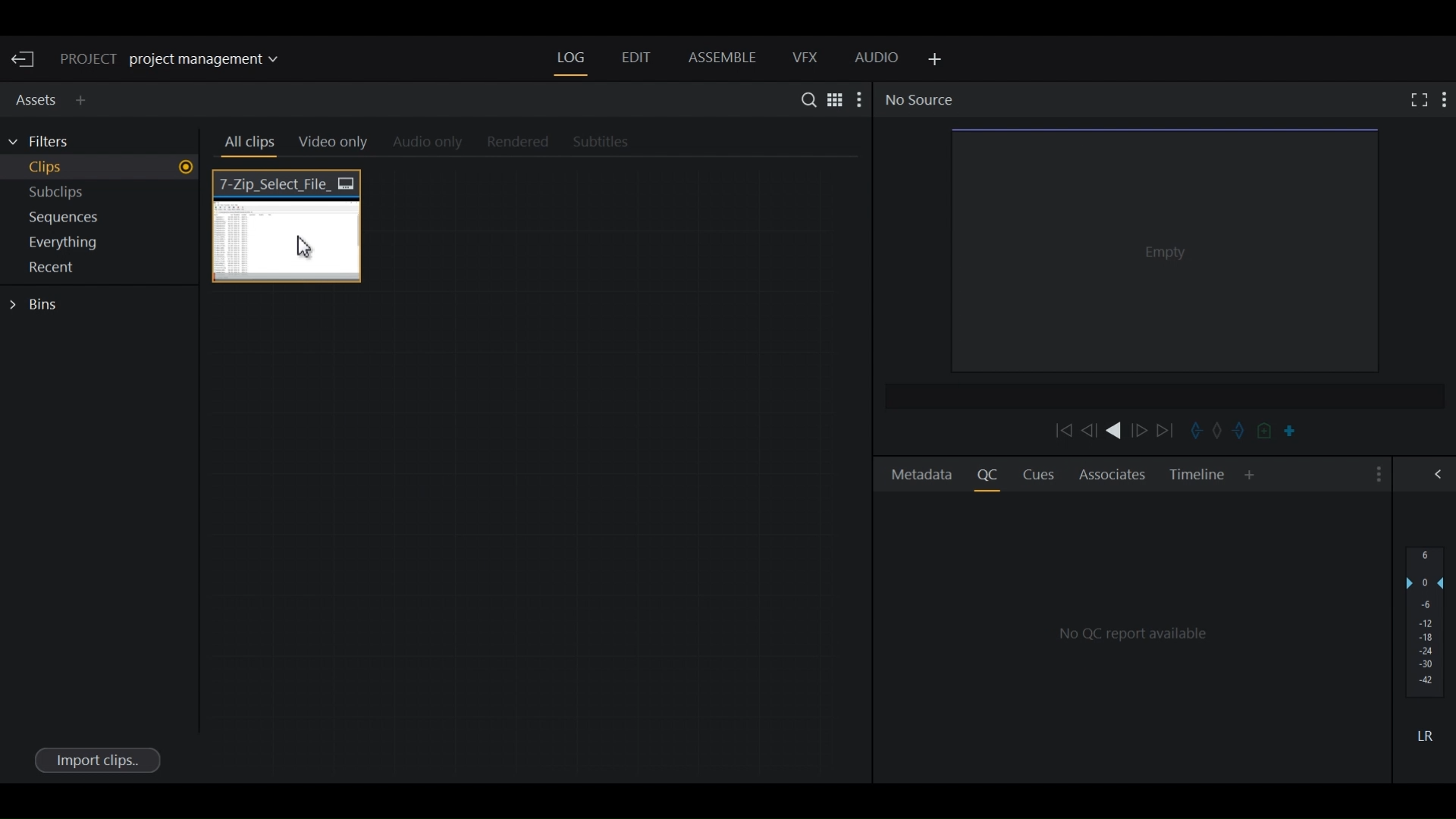  I want to click on Show sequences in current project, so click(103, 219).